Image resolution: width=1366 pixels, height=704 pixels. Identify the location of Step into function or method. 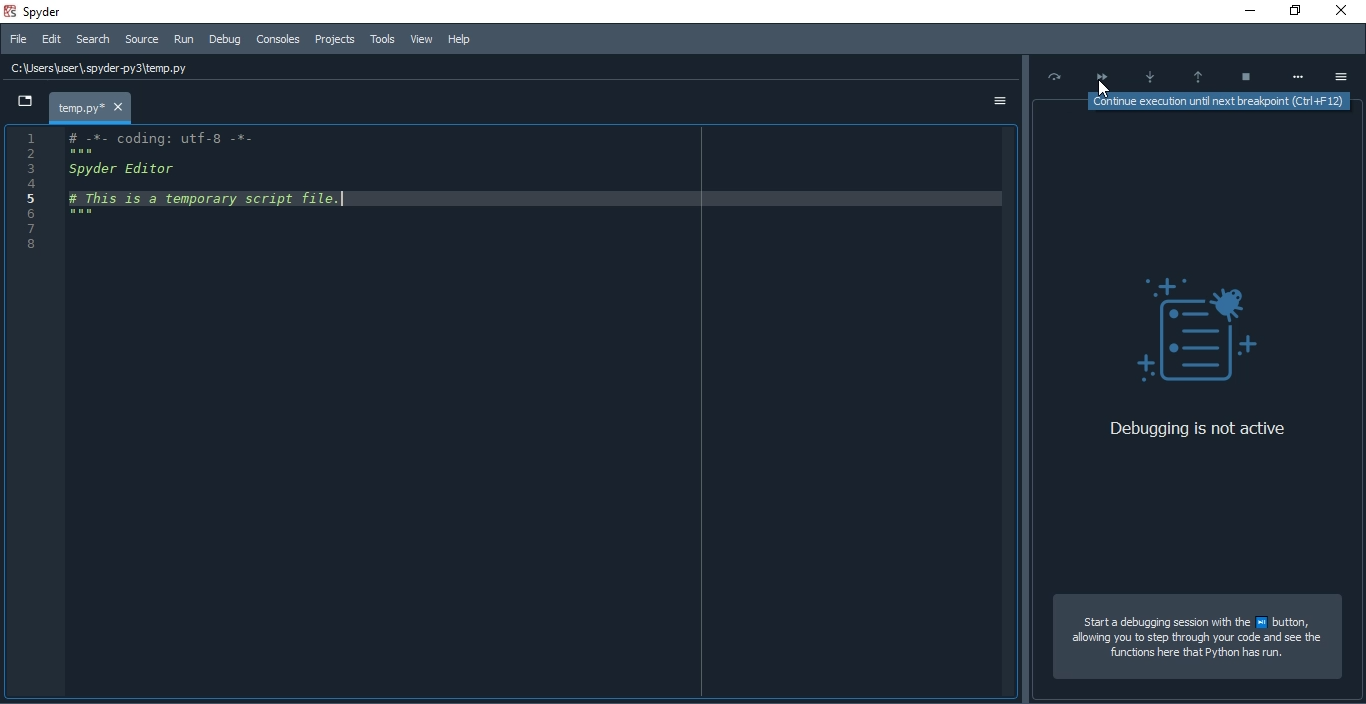
(1152, 73).